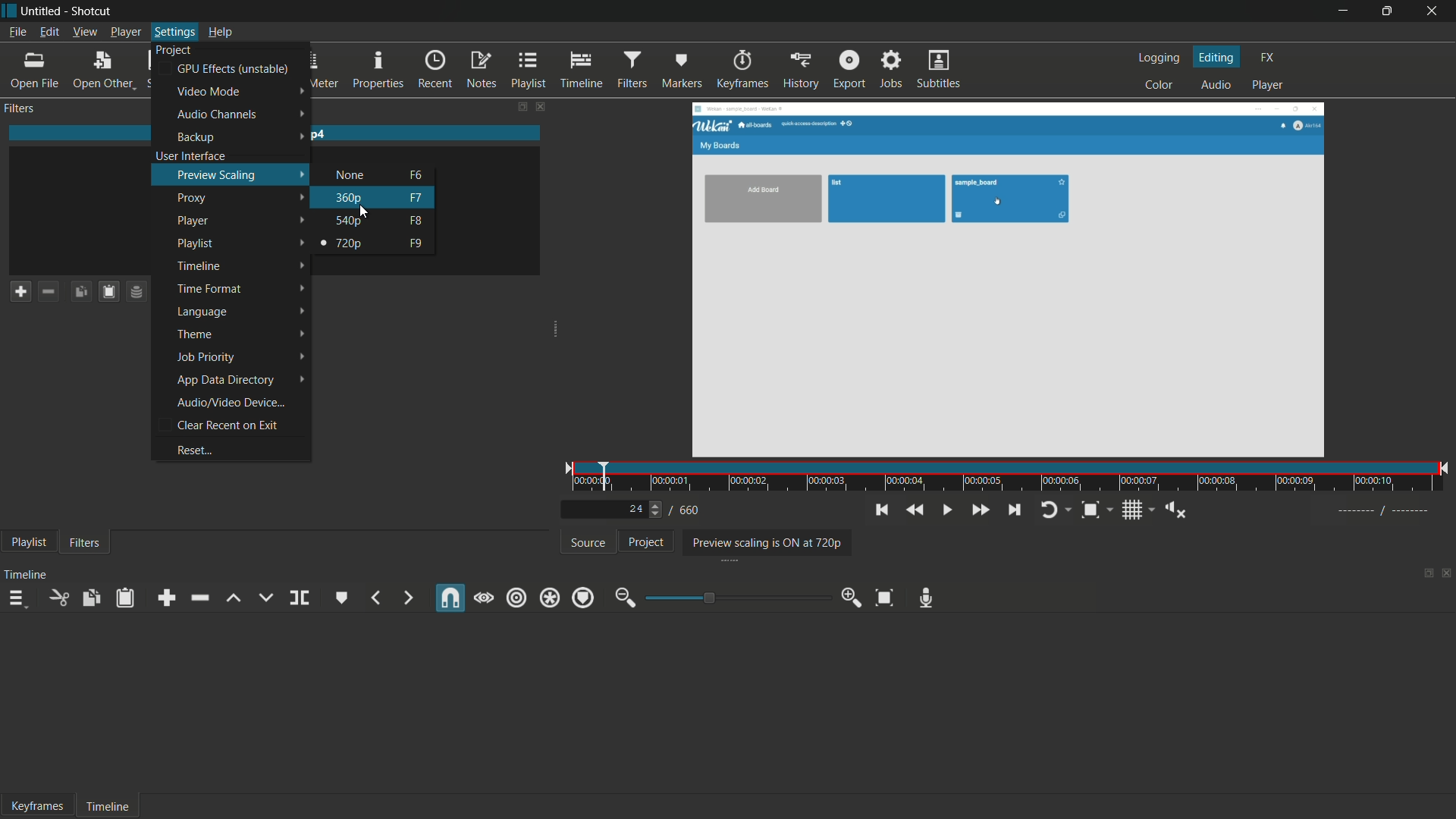 Image resolution: width=1456 pixels, height=819 pixels. I want to click on skip to the previous point, so click(882, 510).